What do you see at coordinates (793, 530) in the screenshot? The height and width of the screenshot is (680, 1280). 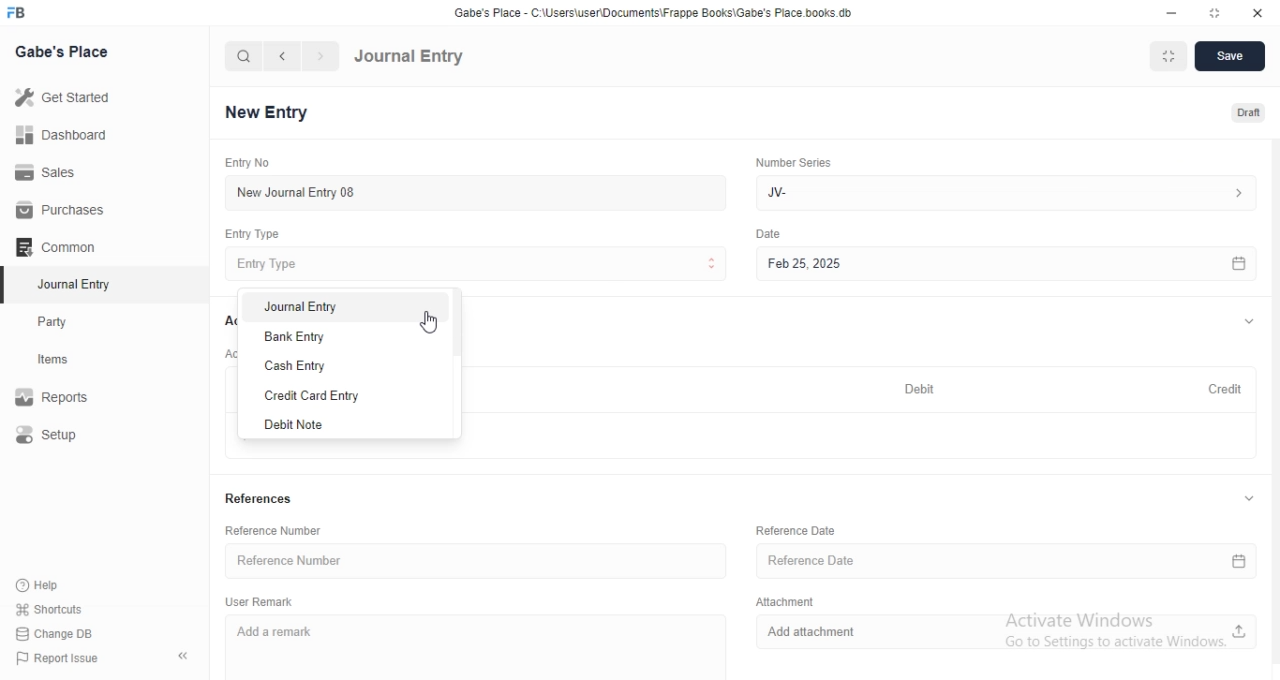 I see `Reference Date` at bounding box center [793, 530].